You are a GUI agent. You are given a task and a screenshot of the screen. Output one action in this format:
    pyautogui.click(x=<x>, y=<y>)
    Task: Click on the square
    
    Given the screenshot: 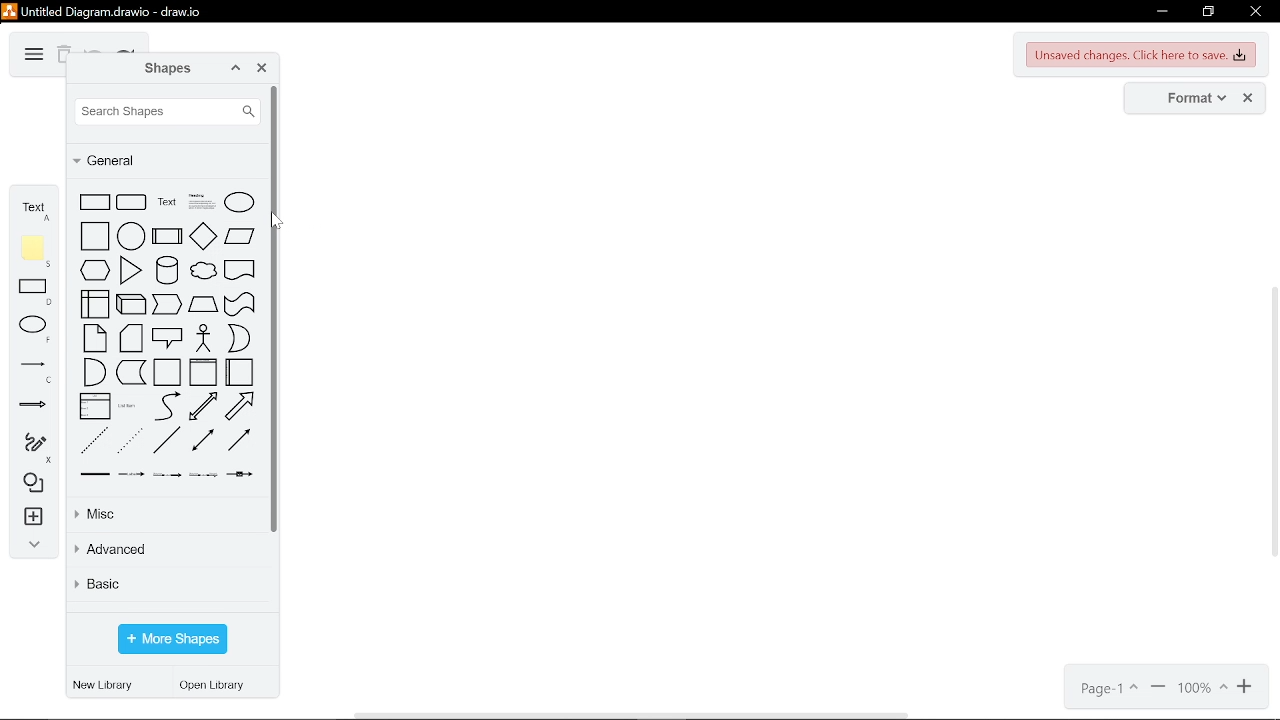 What is the action you would take?
    pyautogui.click(x=95, y=236)
    